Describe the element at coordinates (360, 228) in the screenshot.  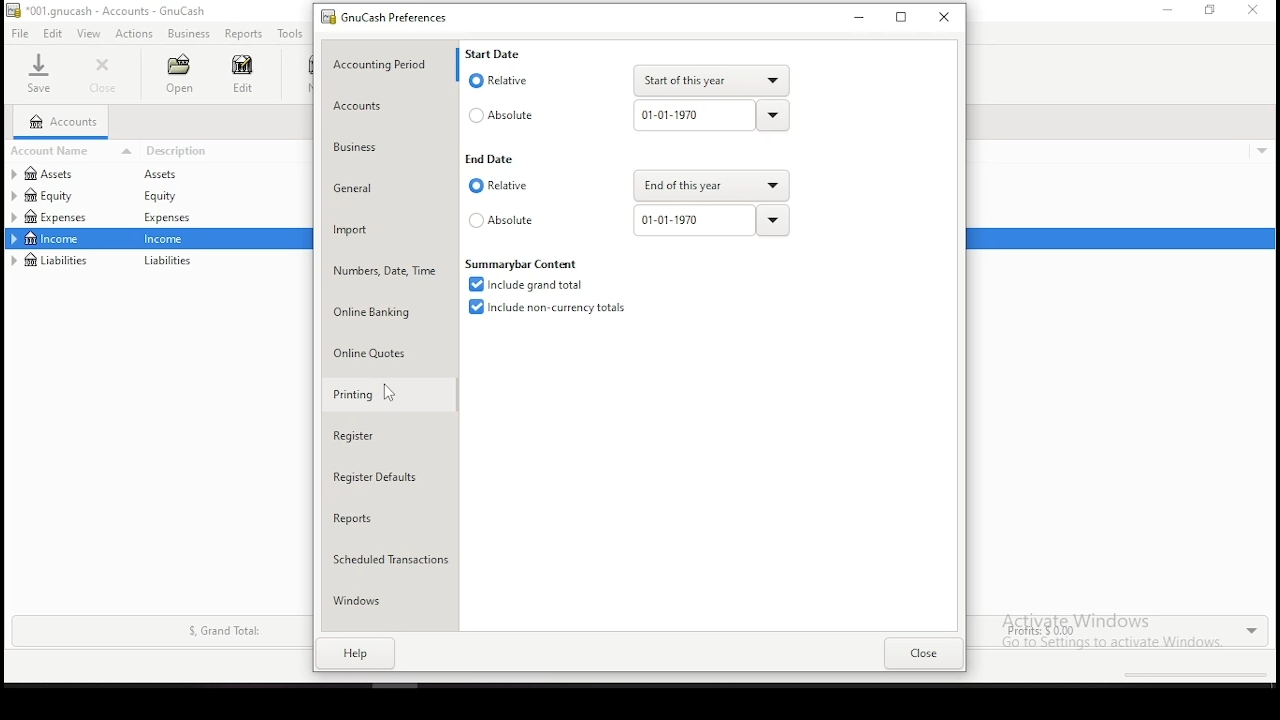
I see `import` at that location.